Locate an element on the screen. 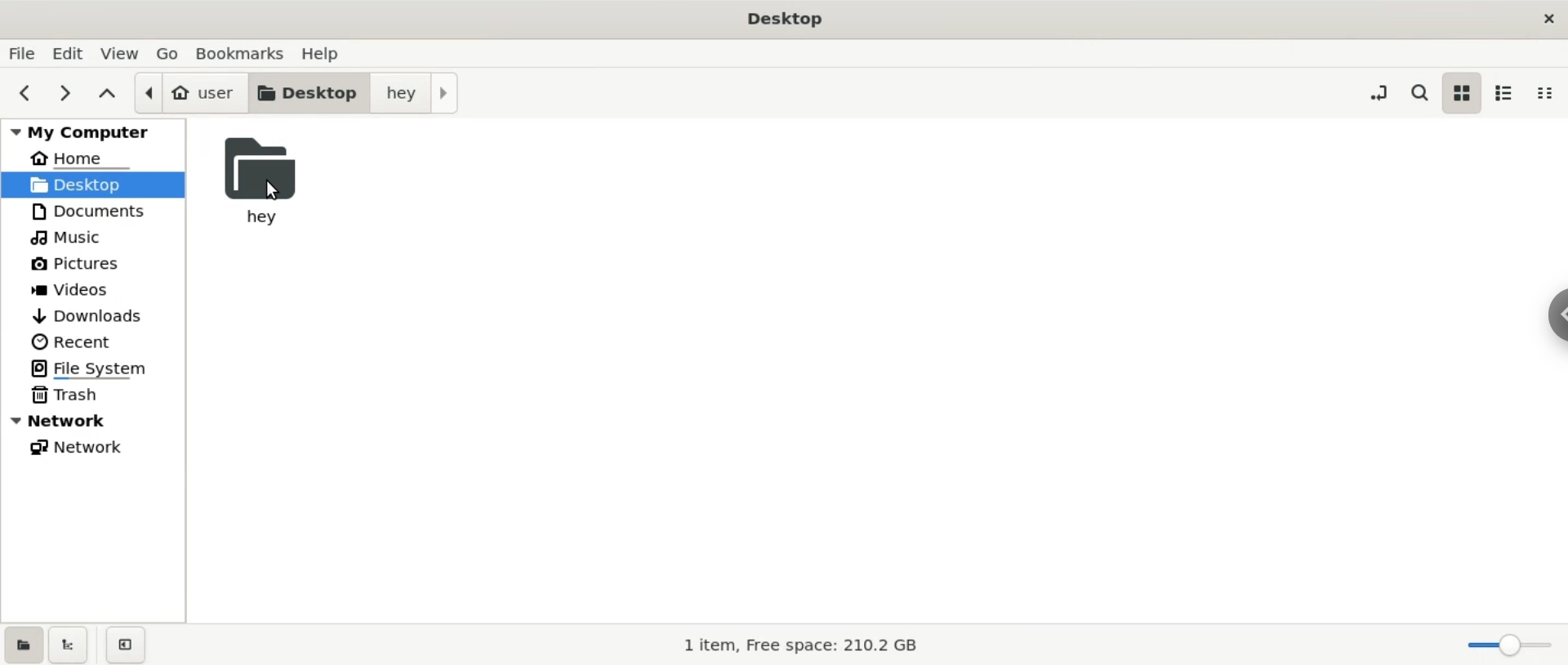 The width and height of the screenshot is (1568, 665). cursor is located at coordinates (1552, 323).